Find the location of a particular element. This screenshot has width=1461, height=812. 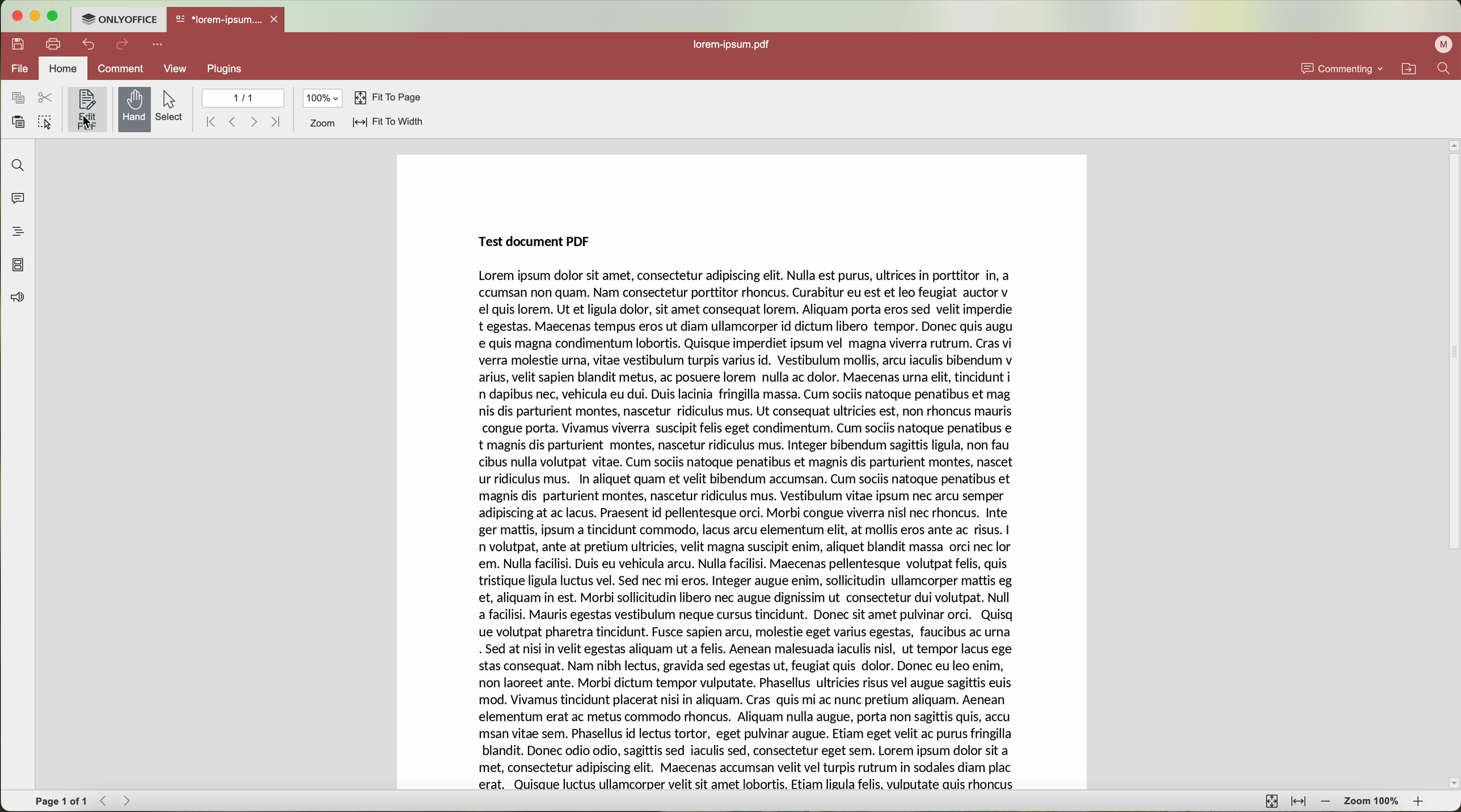

fit to width is located at coordinates (389, 122).